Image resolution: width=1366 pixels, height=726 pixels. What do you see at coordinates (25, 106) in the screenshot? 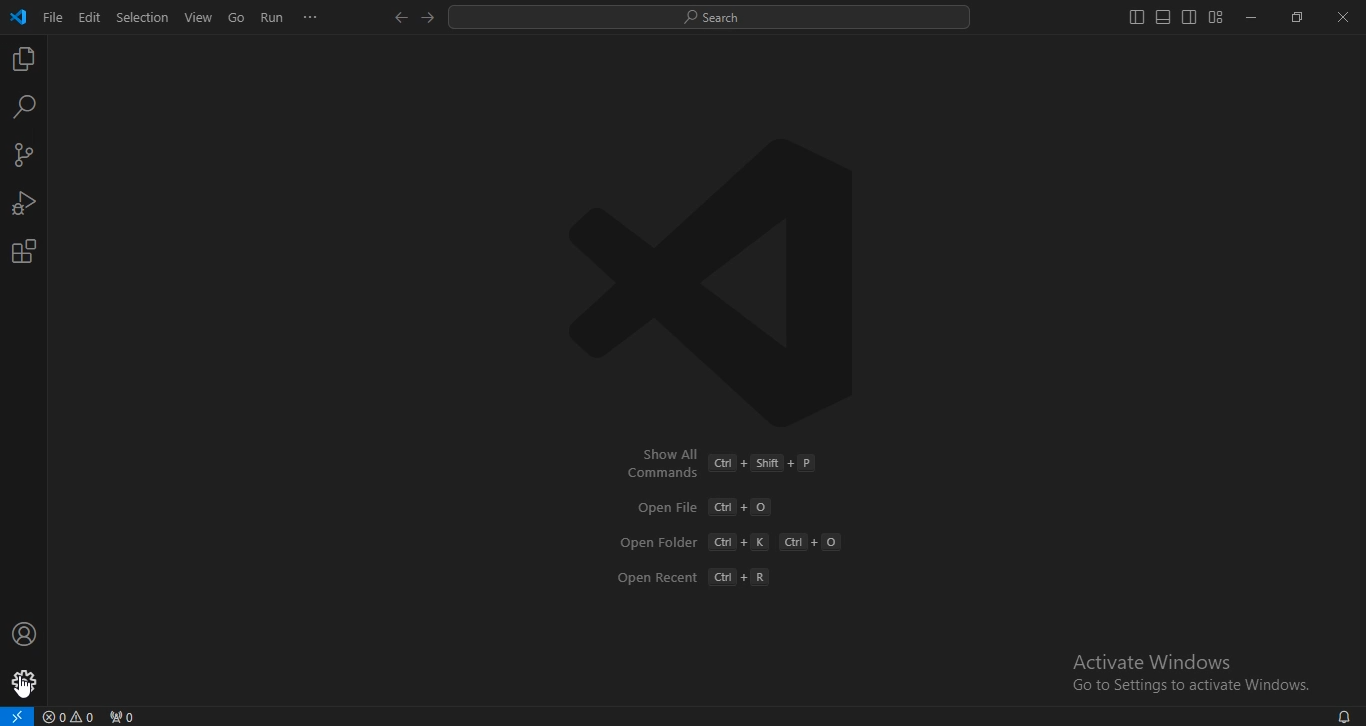
I see `search` at bounding box center [25, 106].